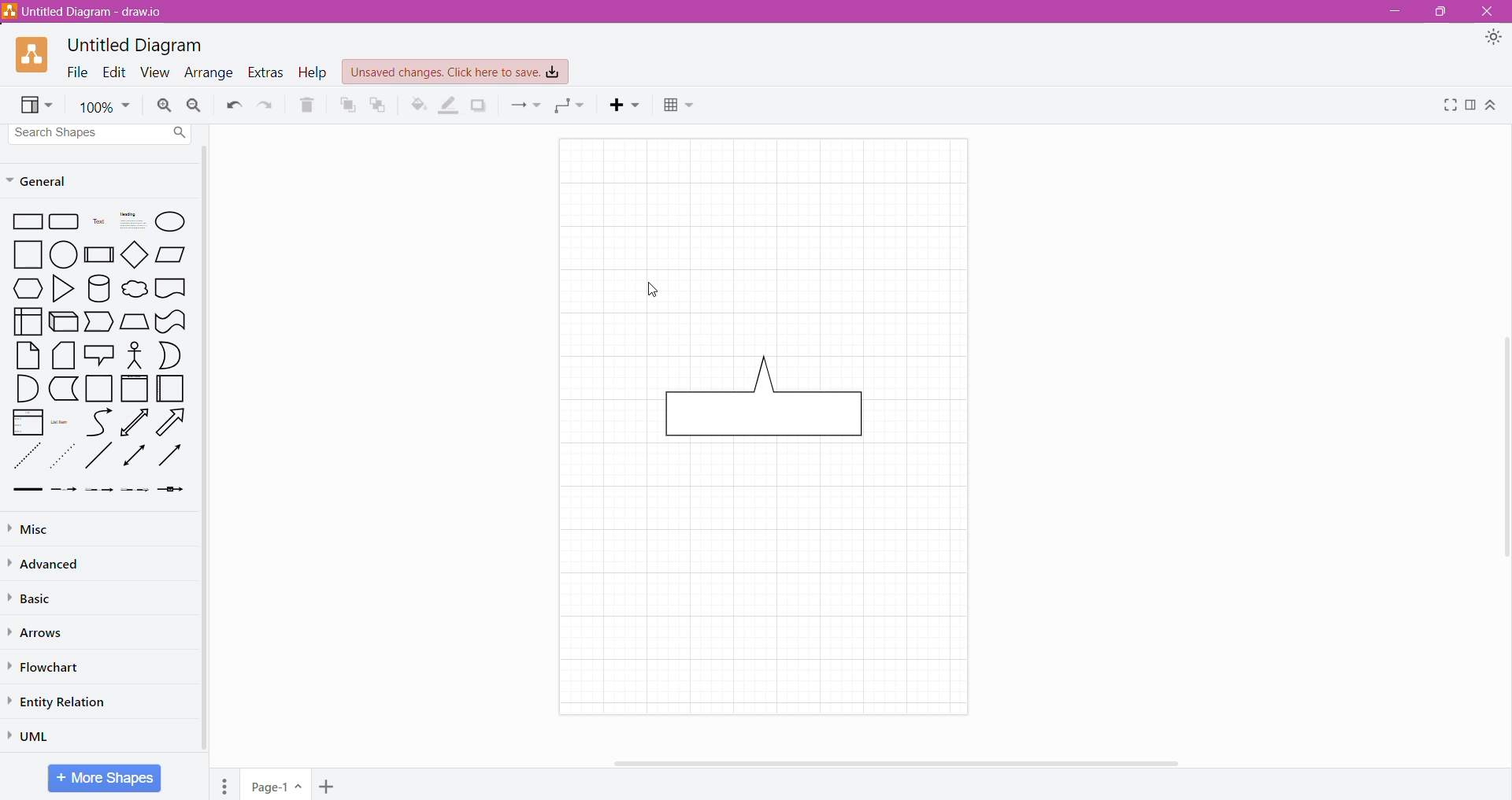 This screenshot has height=800, width=1512. What do you see at coordinates (165, 106) in the screenshot?
I see `zoom in` at bounding box center [165, 106].